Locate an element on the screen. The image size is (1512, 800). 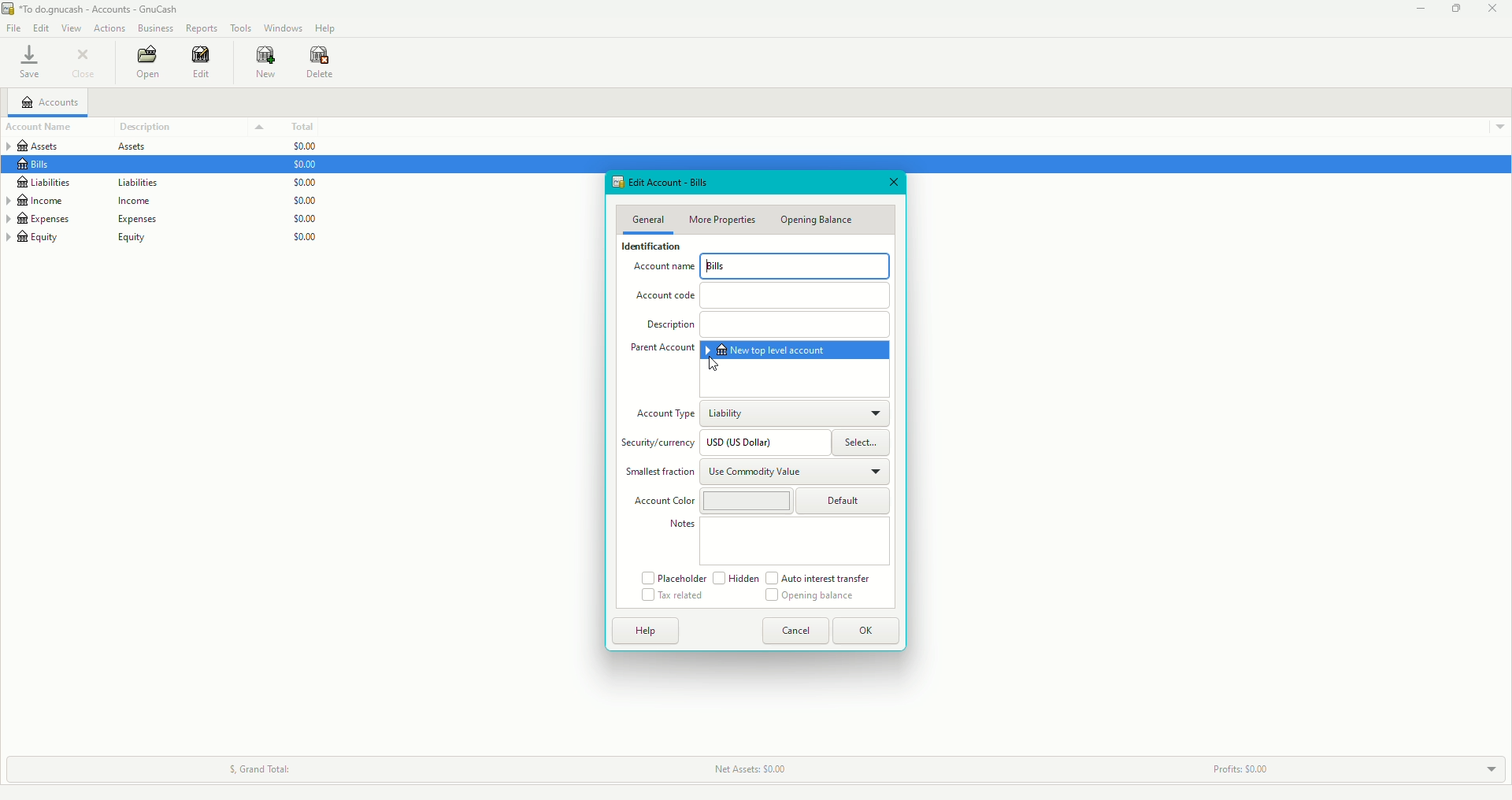
cursor is located at coordinates (714, 365).